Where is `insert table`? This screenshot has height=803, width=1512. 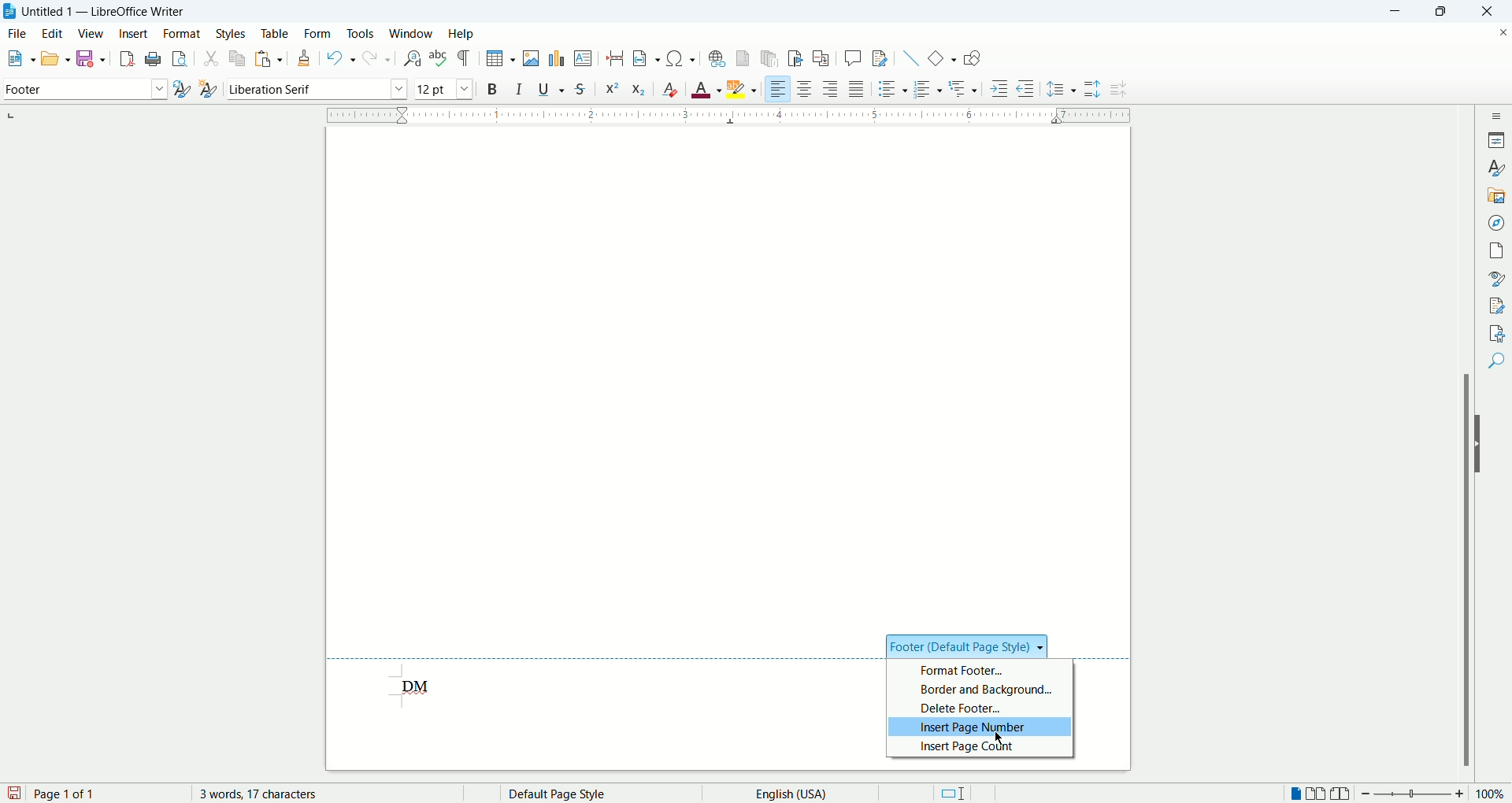
insert table is located at coordinates (501, 59).